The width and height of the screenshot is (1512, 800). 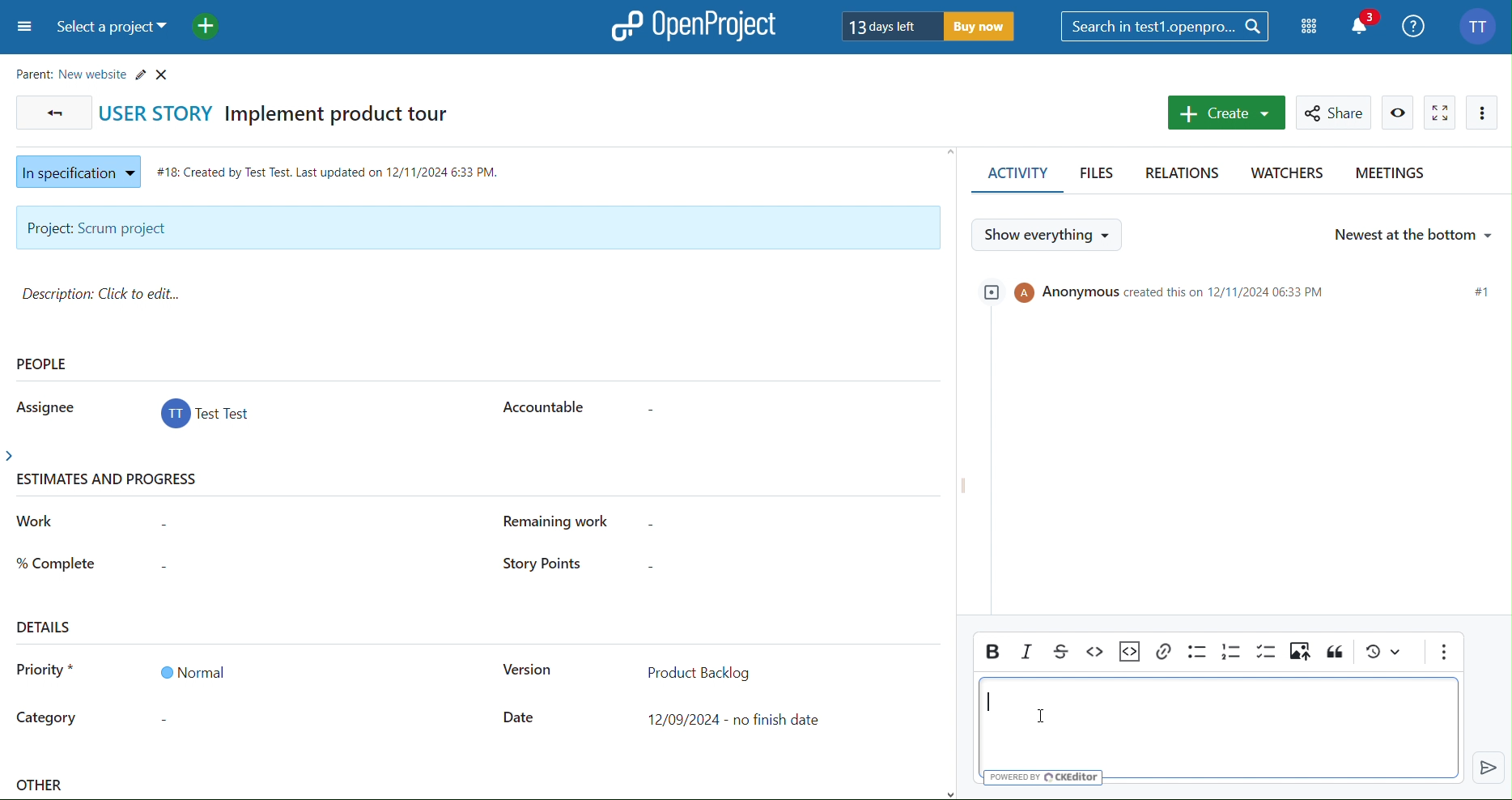 What do you see at coordinates (115, 28) in the screenshot?
I see `Select a project` at bounding box center [115, 28].